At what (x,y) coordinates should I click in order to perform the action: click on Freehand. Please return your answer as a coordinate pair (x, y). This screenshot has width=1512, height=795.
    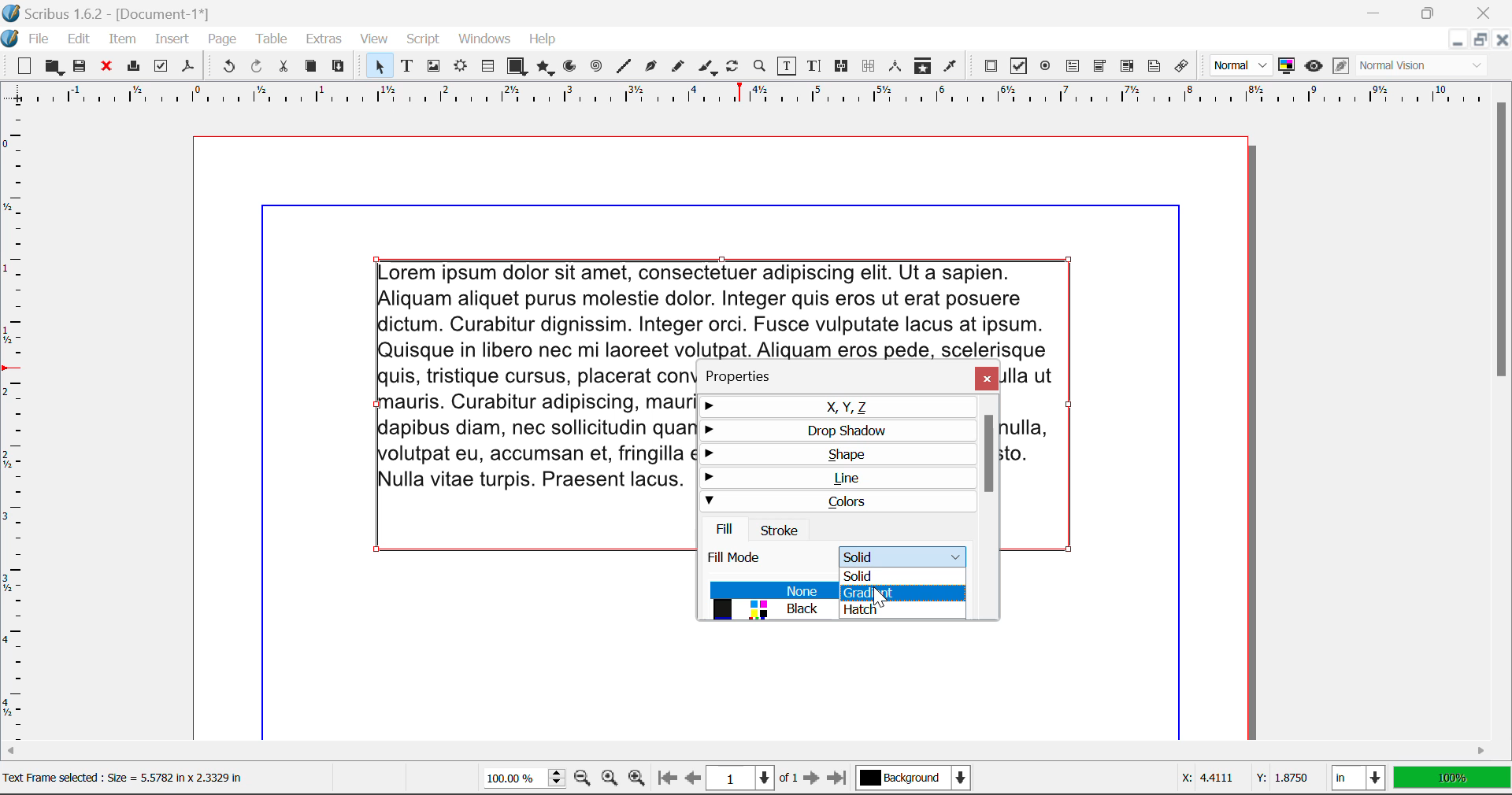
    Looking at the image, I should click on (679, 70).